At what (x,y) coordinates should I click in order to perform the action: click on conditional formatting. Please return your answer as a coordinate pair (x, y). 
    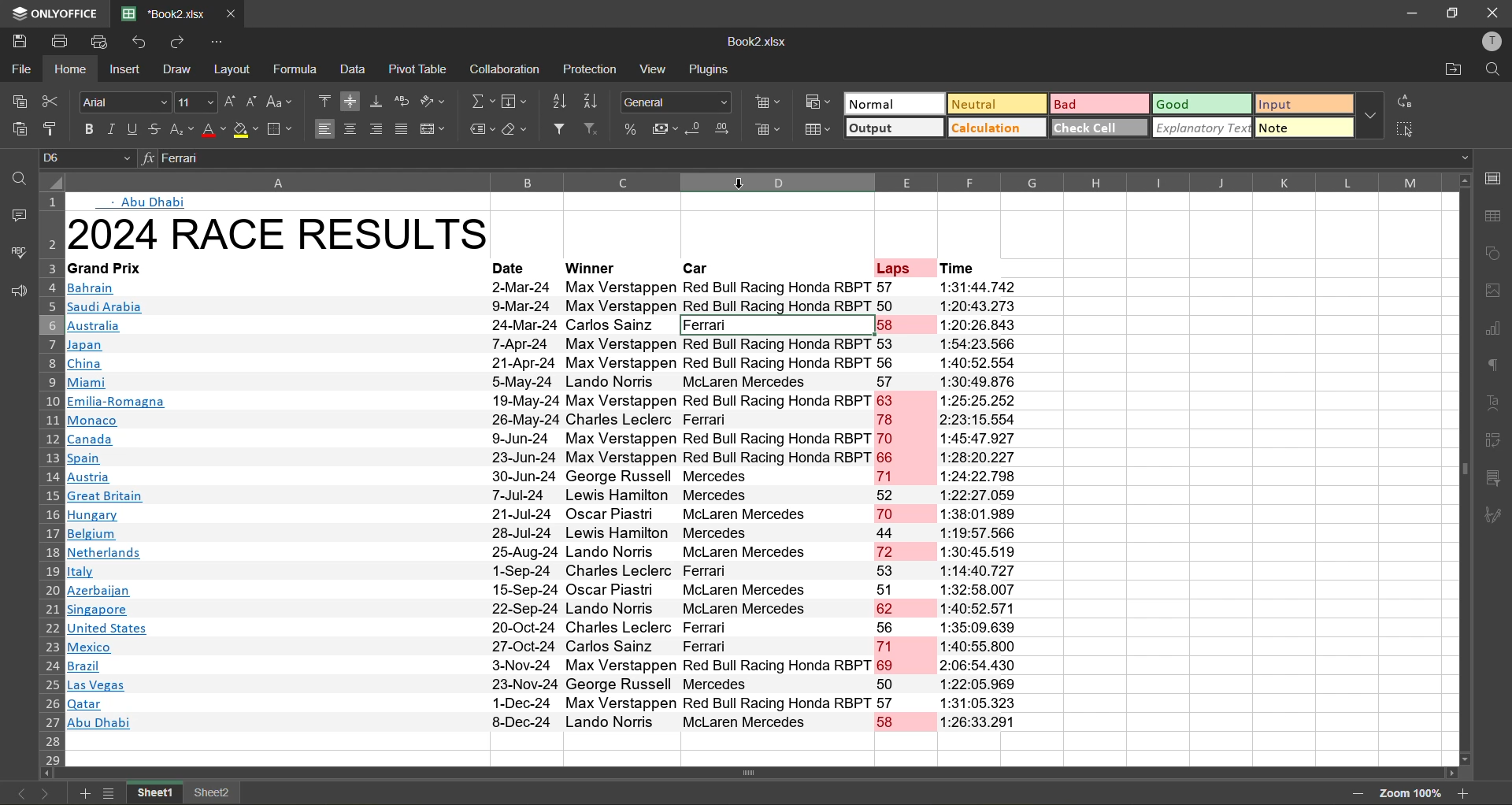
    Looking at the image, I should click on (819, 102).